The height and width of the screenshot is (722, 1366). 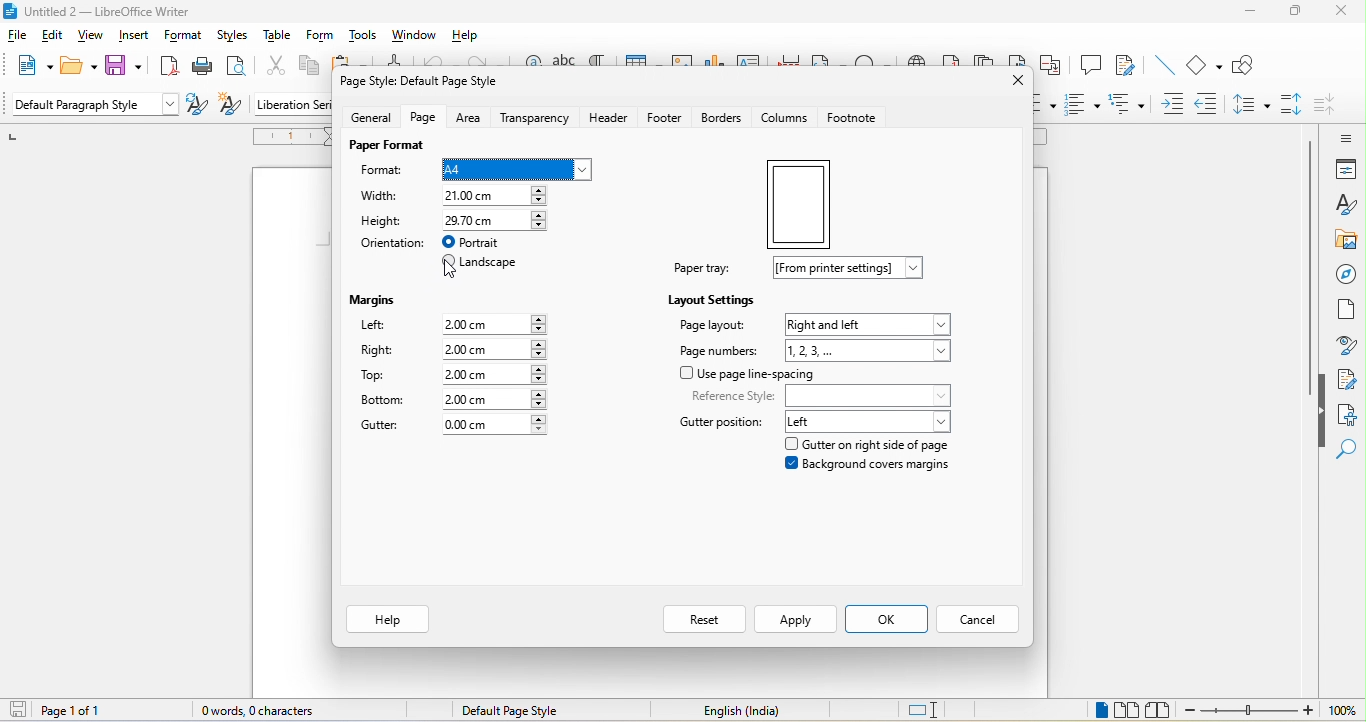 I want to click on ordered list, so click(x=1081, y=106).